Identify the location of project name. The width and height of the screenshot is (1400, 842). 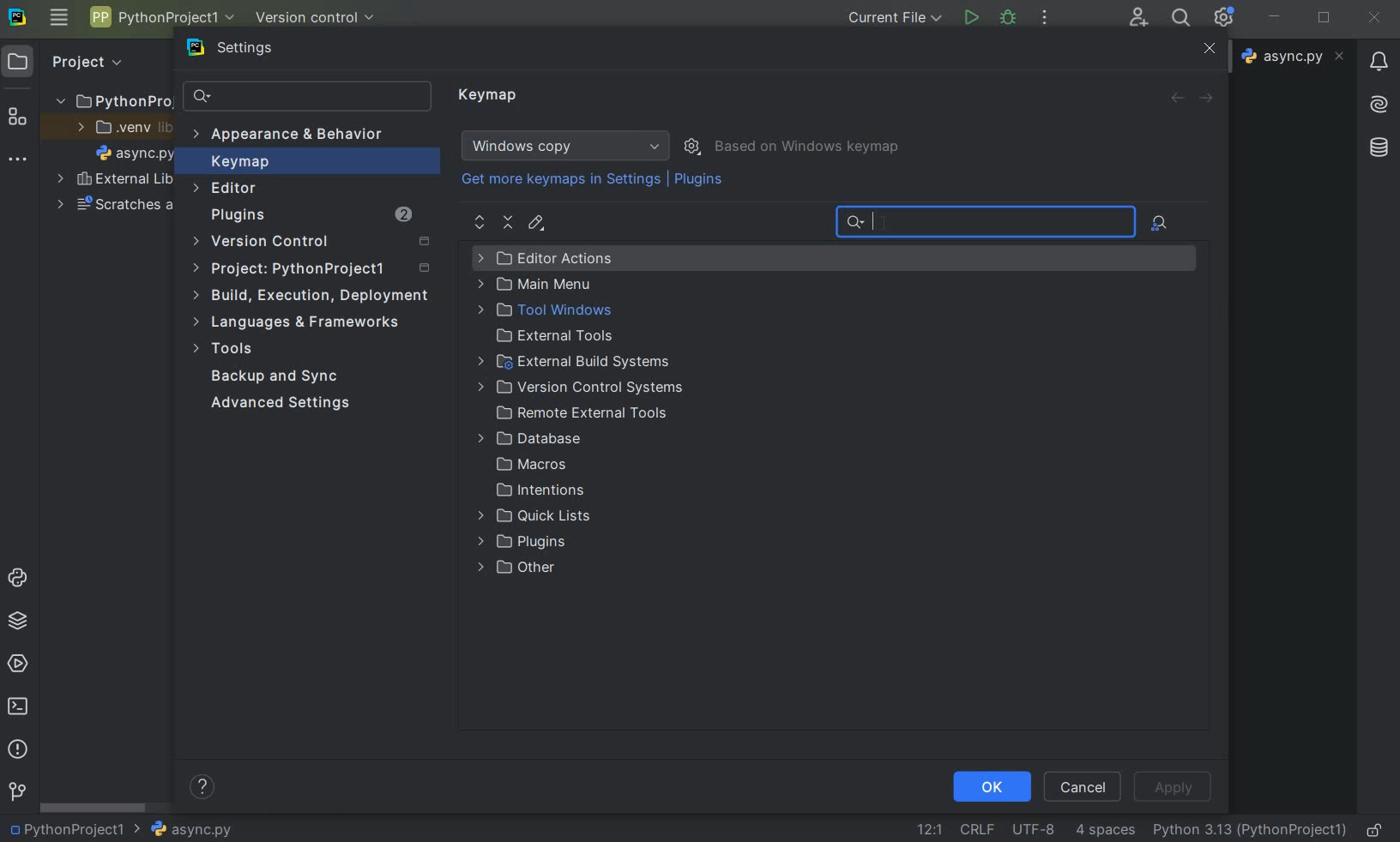
(64, 829).